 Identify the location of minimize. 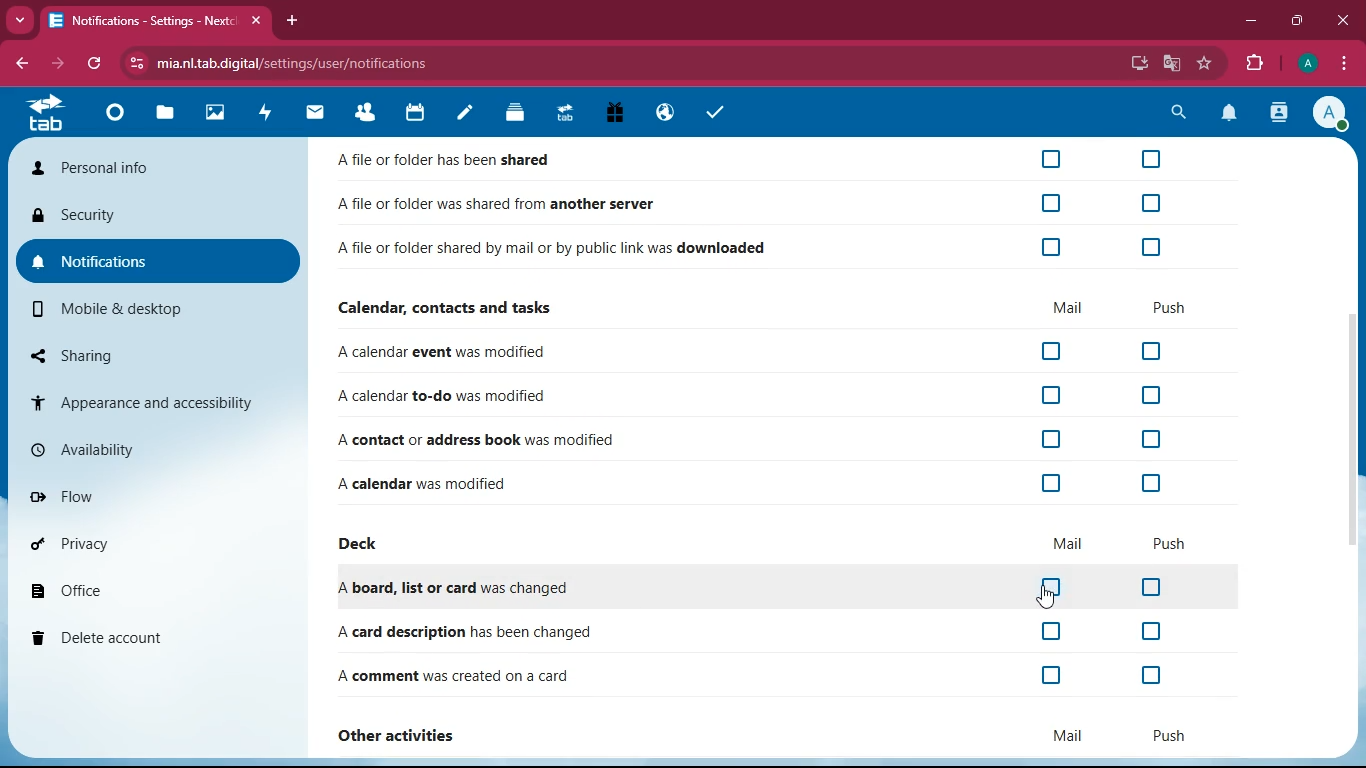
(1251, 22).